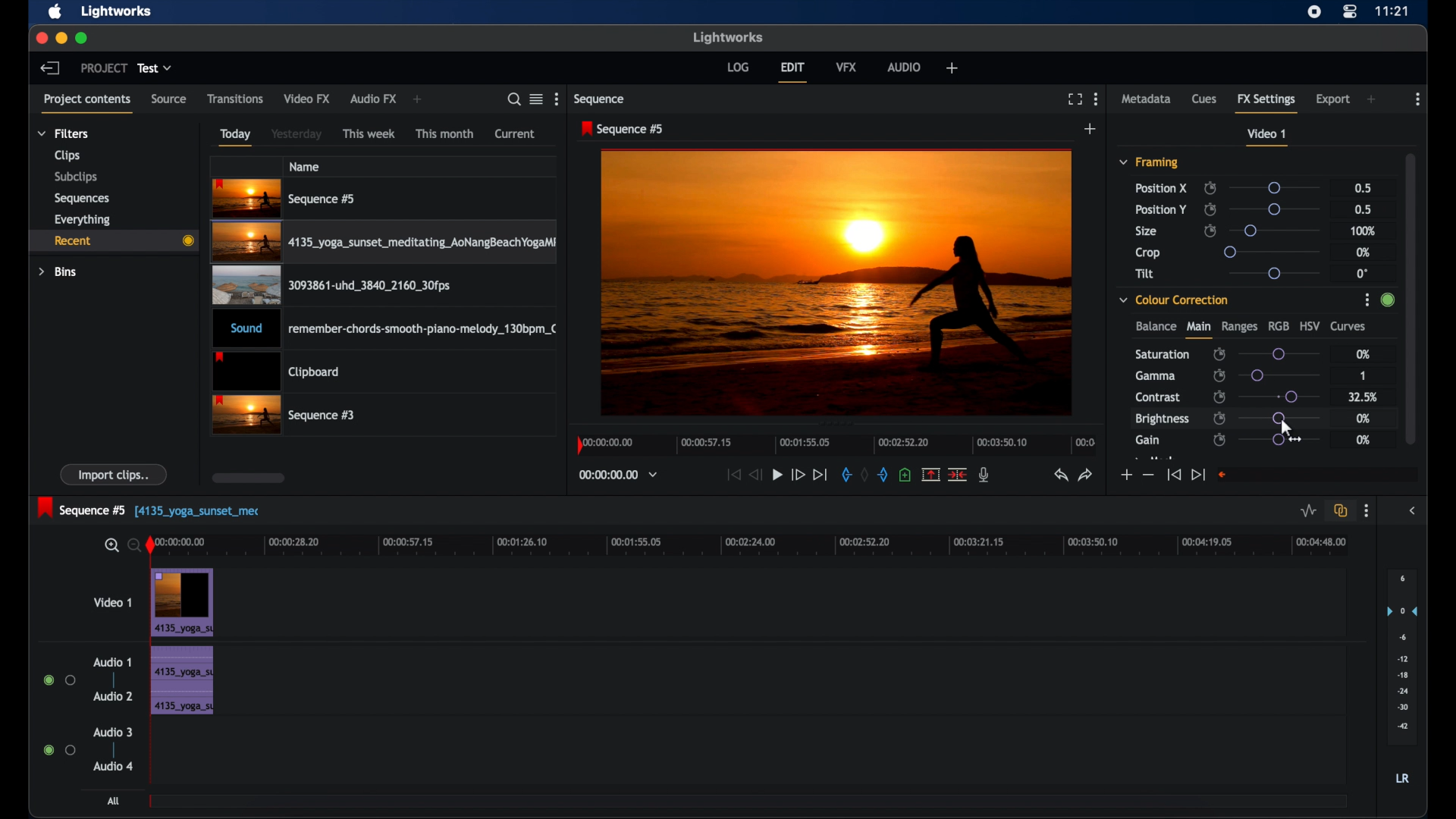 This screenshot has height=819, width=1456. What do you see at coordinates (114, 765) in the screenshot?
I see `audio 4` at bounding box center [114, 765].